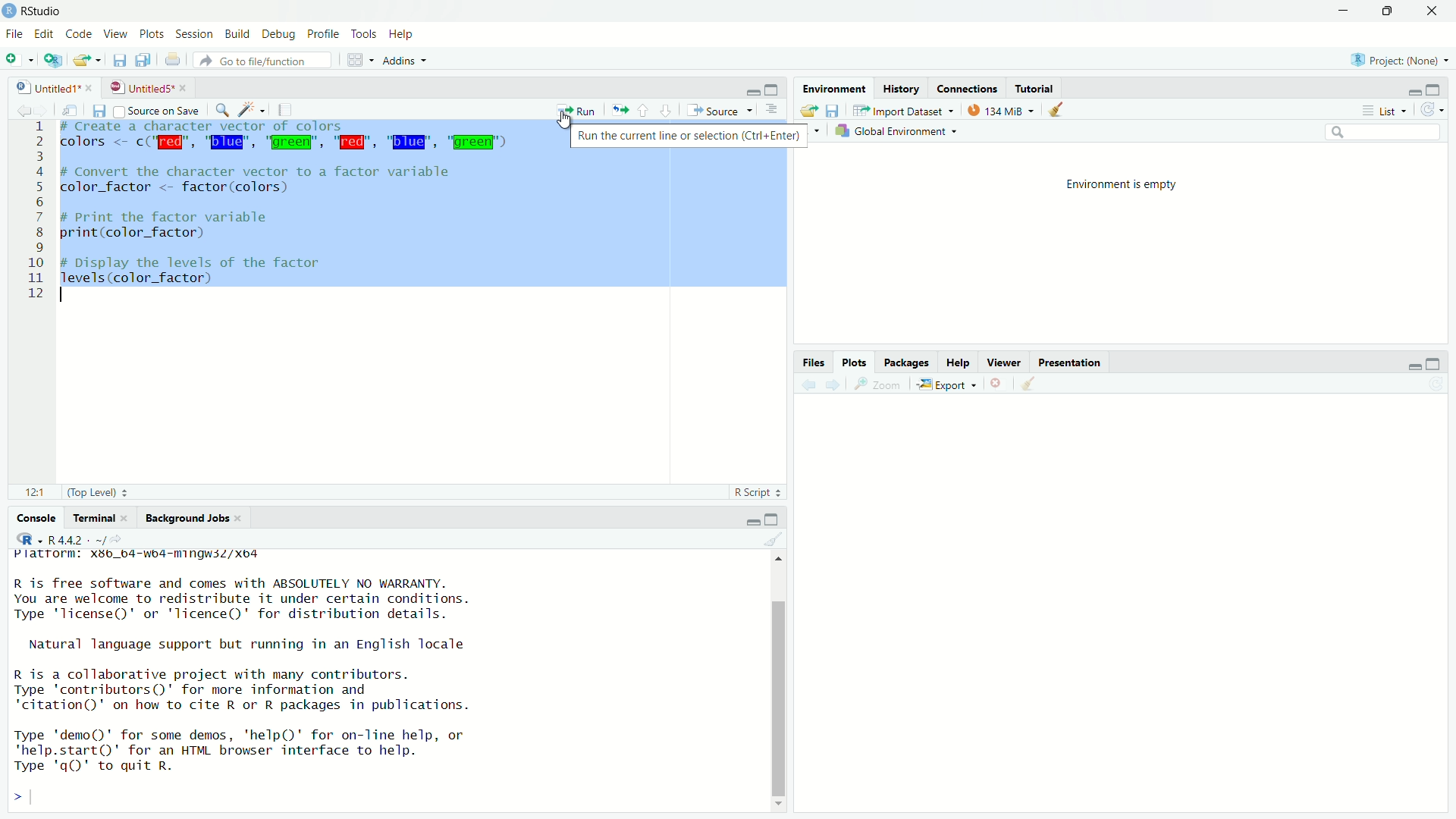 This screenshot has width=1456, height=819. Describe the element at coordinates (189, 224) in the screenshot. I see `# Print the factor variable
print(color_factor)` at that location.